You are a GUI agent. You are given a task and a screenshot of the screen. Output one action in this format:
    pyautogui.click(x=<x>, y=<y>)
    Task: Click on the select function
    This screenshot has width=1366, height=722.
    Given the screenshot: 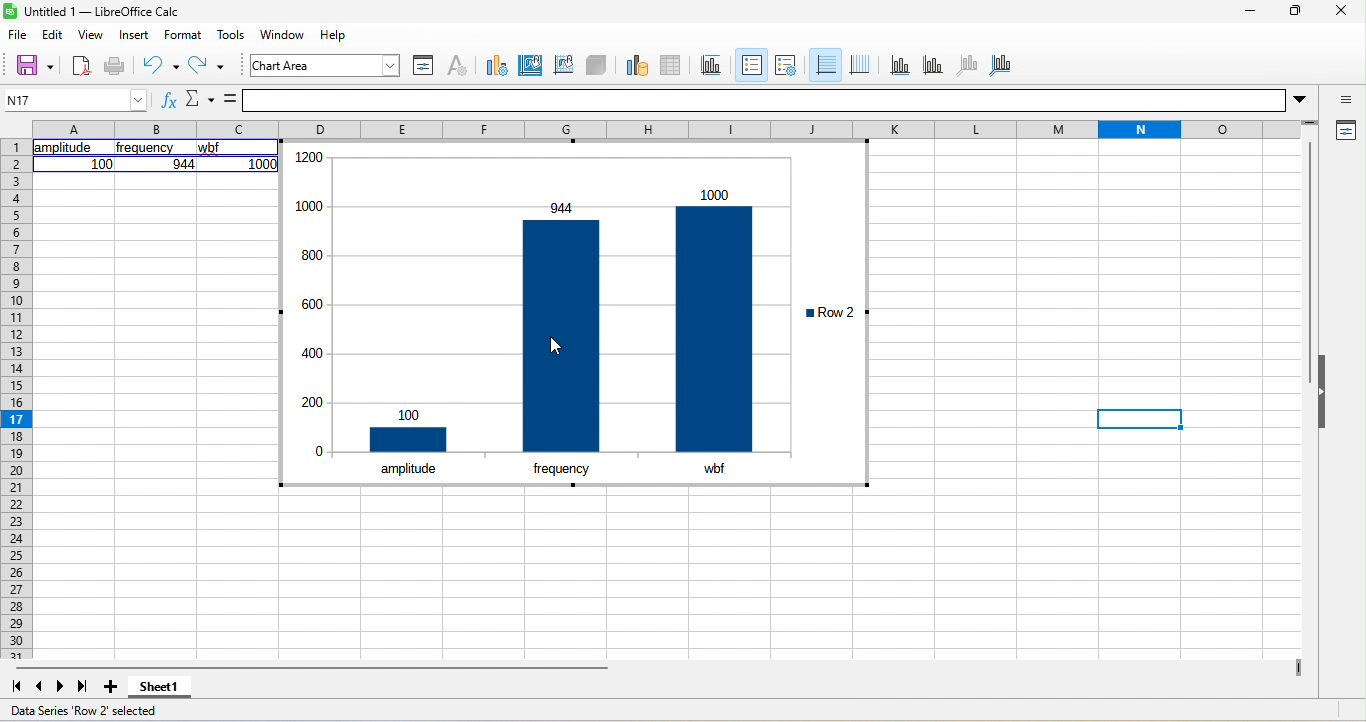 What is the action you would take?
    pyautogui.click(x=198, y=101)
    